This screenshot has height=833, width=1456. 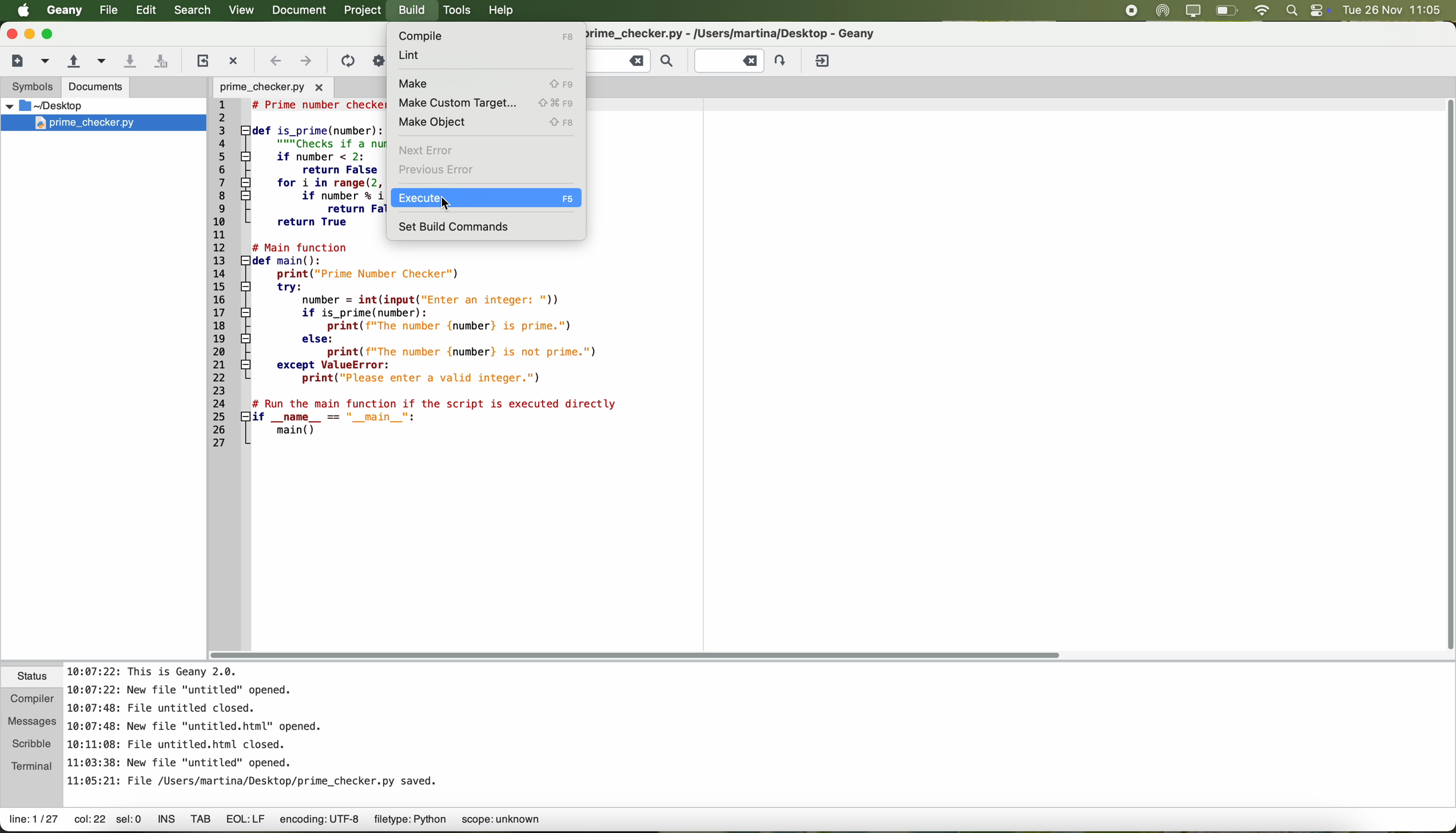 What do you see at coordinates (46, 62) in the screenshot?
I see `create a new file from template` at bounding box center [46, 62].